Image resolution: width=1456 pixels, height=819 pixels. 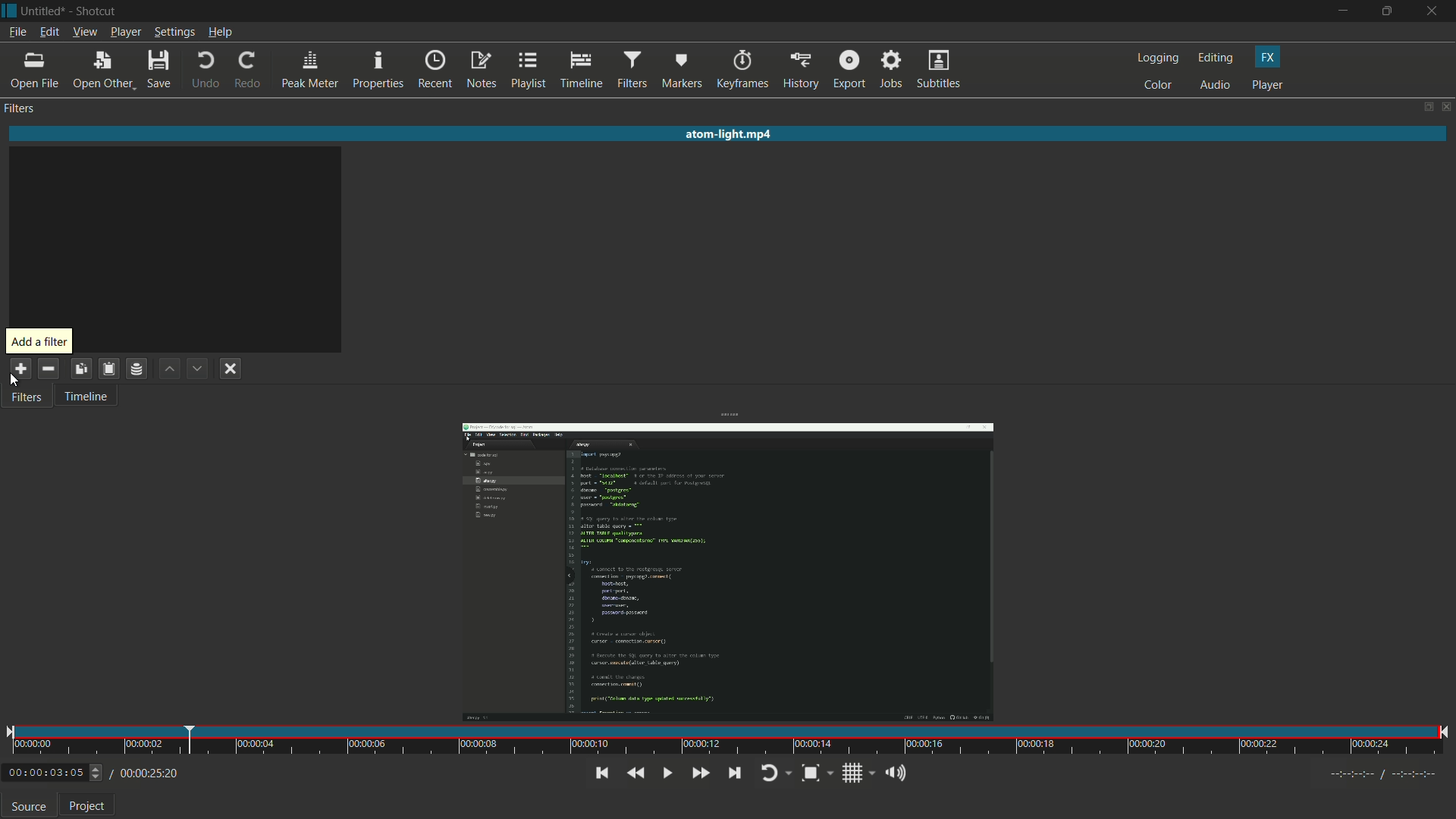 What do you see at coordinates (308, 71) in the screenshot?
I see `peak meter` at bounding box center [308, 71].